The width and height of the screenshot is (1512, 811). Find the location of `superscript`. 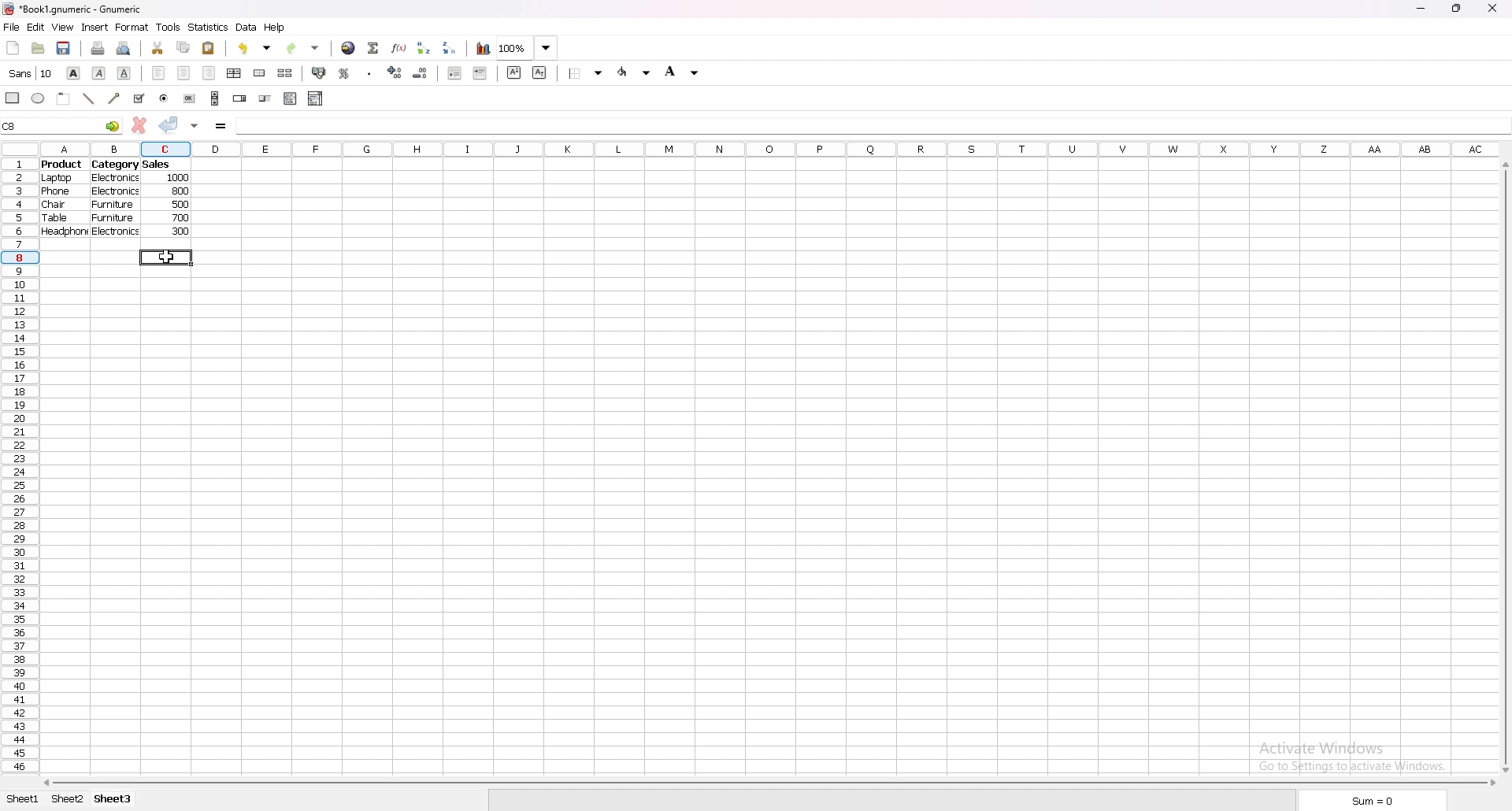

superscript is located at coordinates (514, 71).